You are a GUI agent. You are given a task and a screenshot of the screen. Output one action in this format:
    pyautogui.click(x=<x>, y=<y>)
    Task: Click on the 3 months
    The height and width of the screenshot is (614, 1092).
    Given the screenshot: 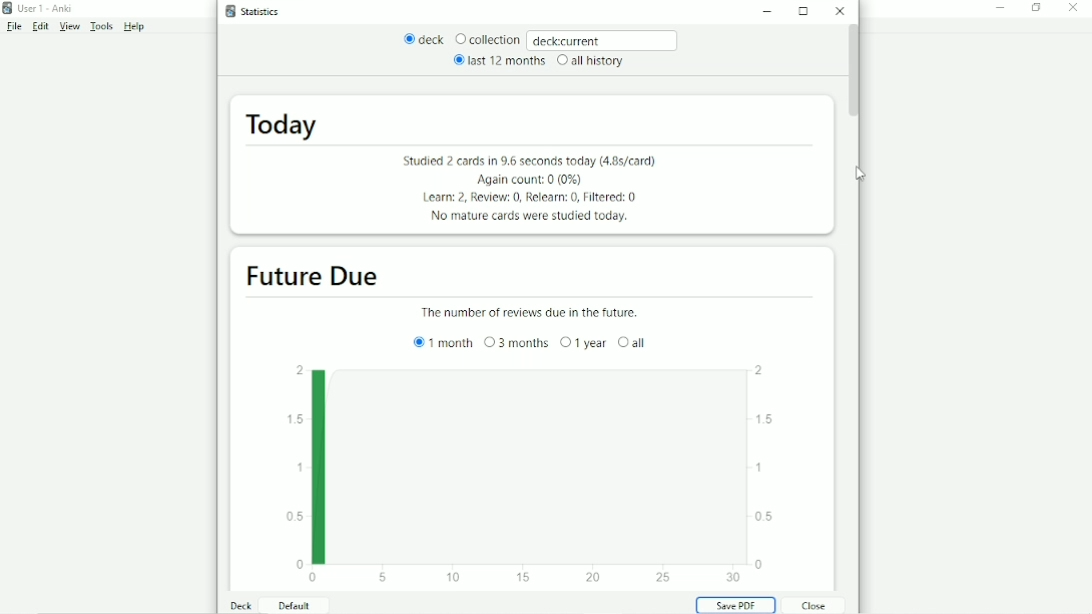 What is the action you would take?
    pyautogui.click(x=516, y=342)
    